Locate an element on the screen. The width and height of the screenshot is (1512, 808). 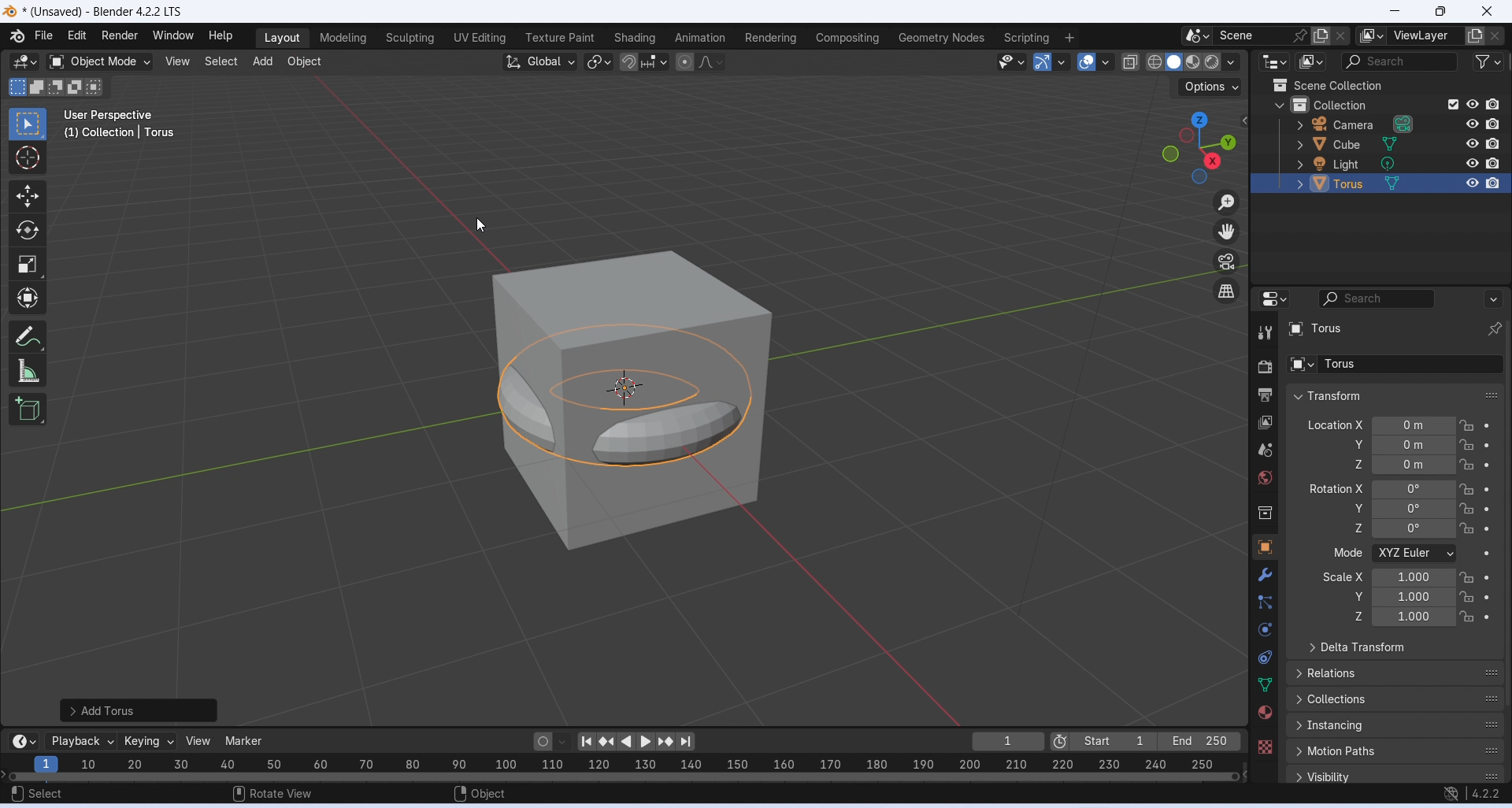
torus layer is located at coordinates (1395, 183).